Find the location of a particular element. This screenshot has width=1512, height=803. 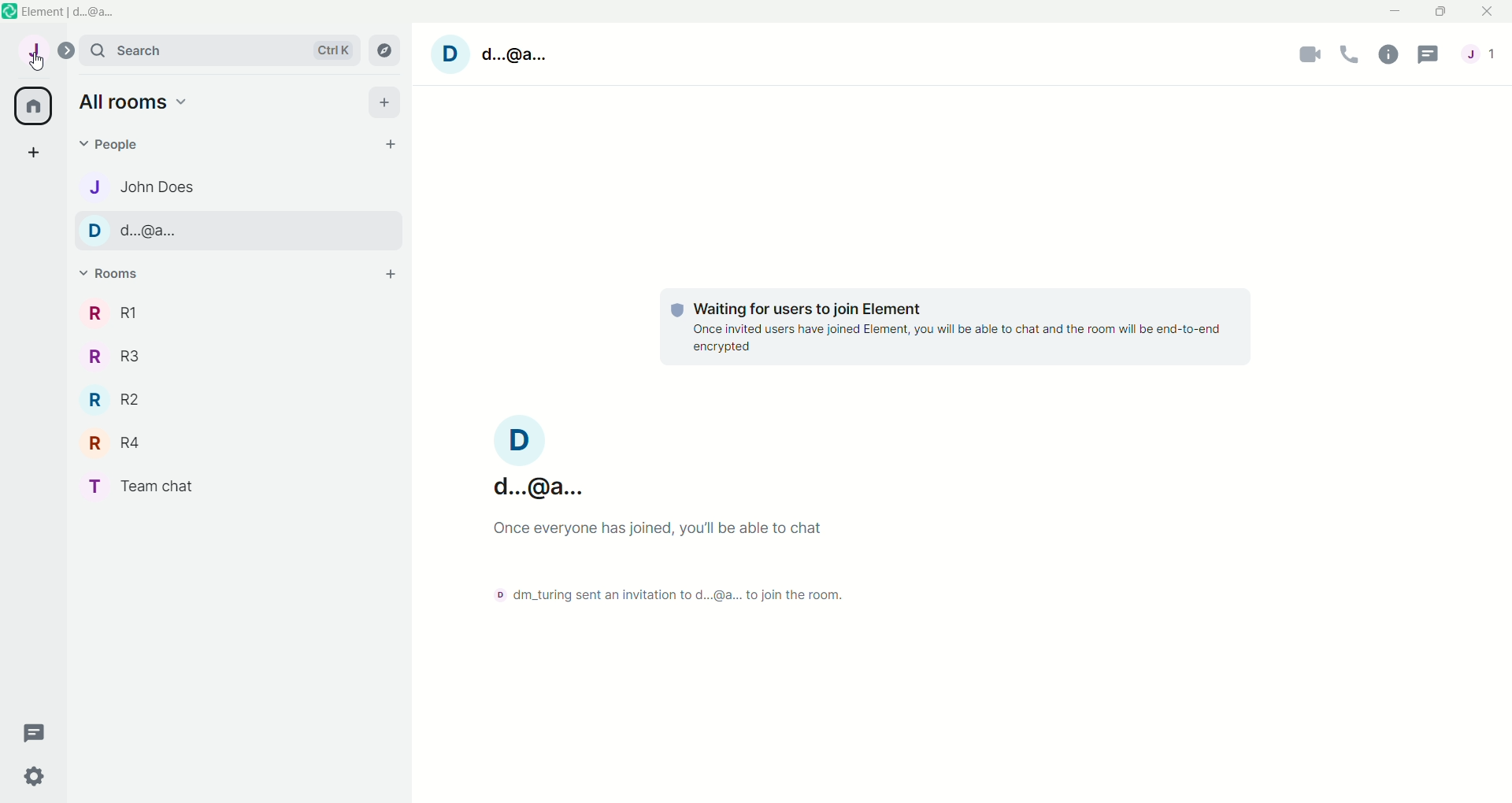

Rooms is located at coordinates (114, 272).